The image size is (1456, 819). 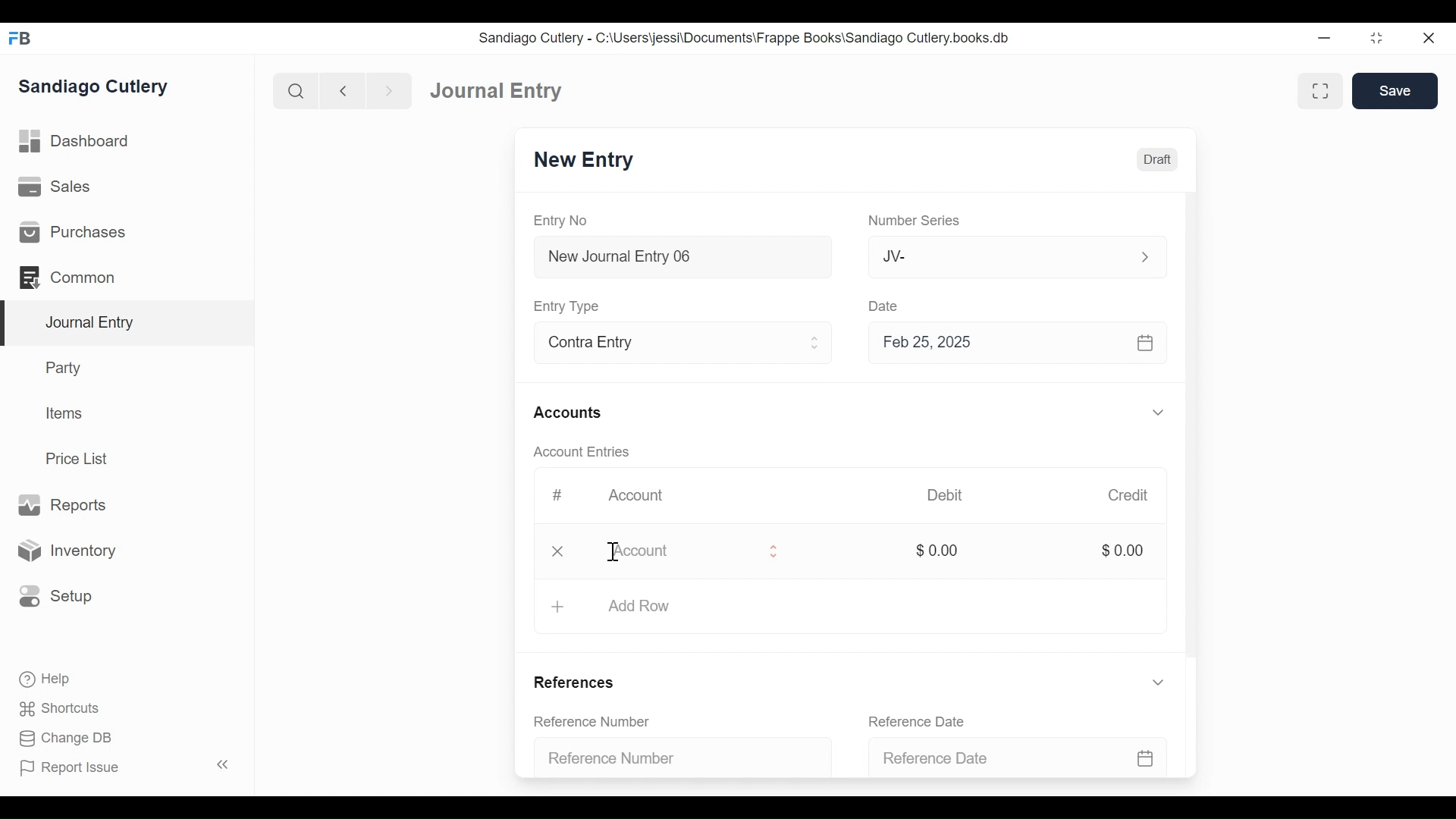 What do you see at coordinates (64, 708) in the screenshot?
I see `Shortcuts` at bounding box center [64, 708].